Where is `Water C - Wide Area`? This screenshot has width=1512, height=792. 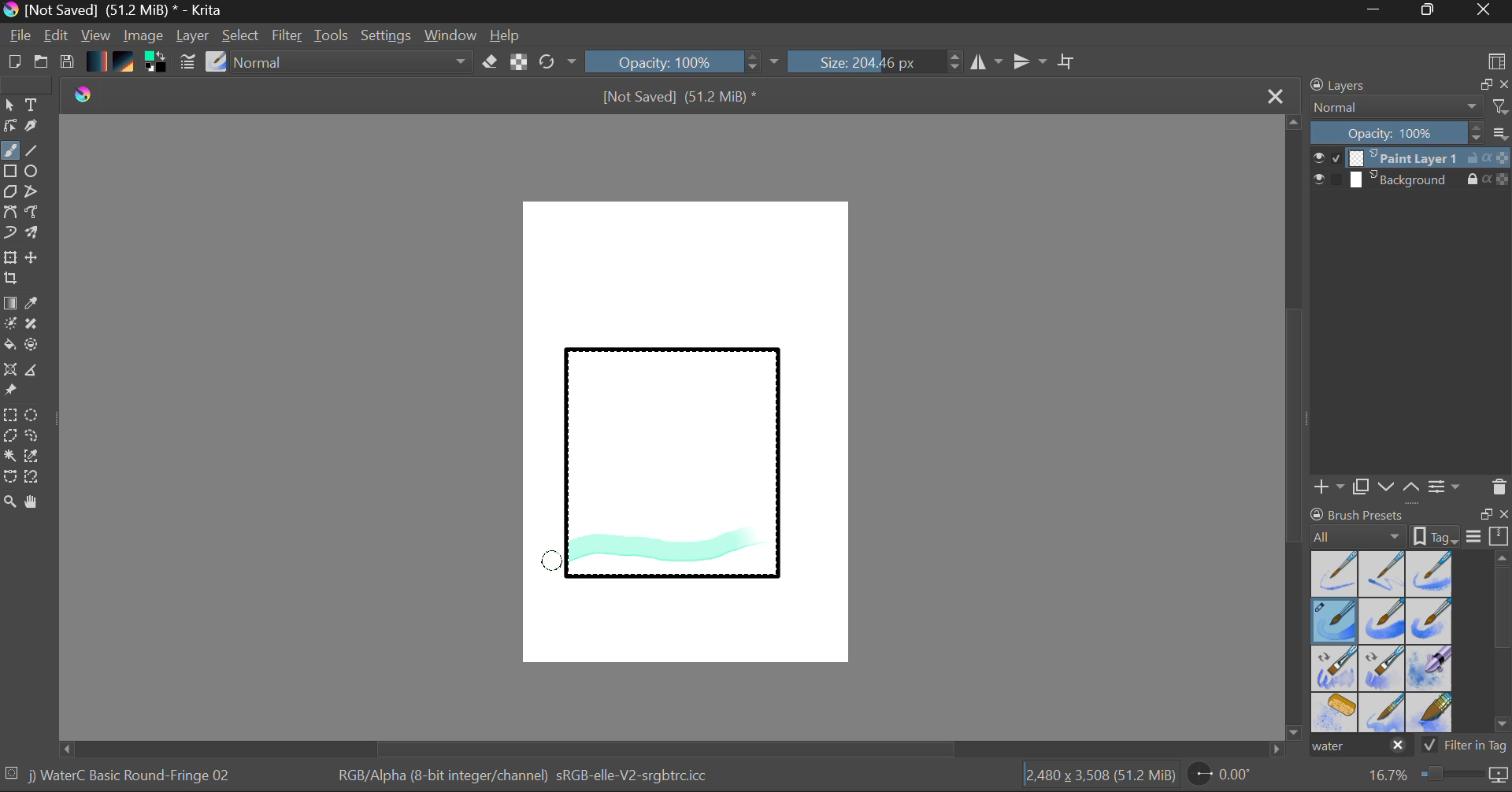
Water C - Wide Area is located at coordinates (1432, 713).